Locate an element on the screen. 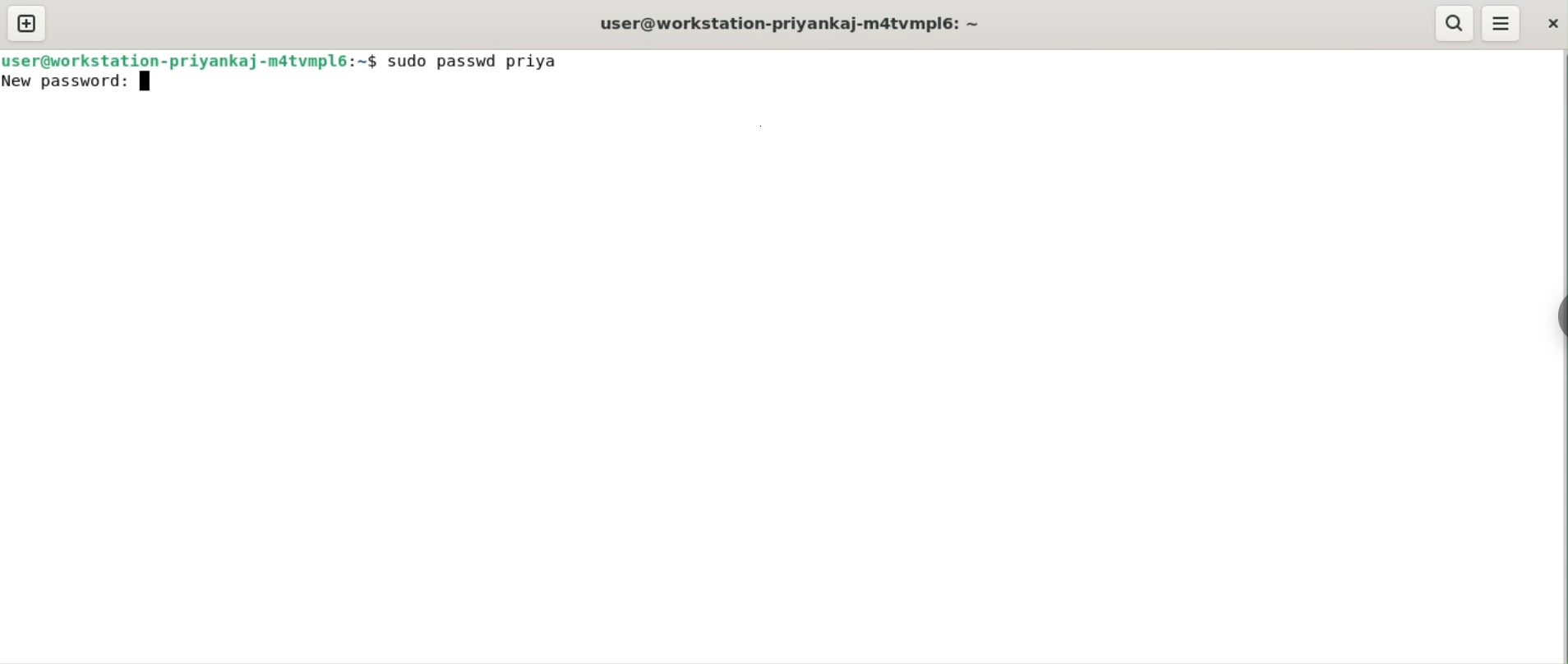  new password: is located at coordinates (67, 83).